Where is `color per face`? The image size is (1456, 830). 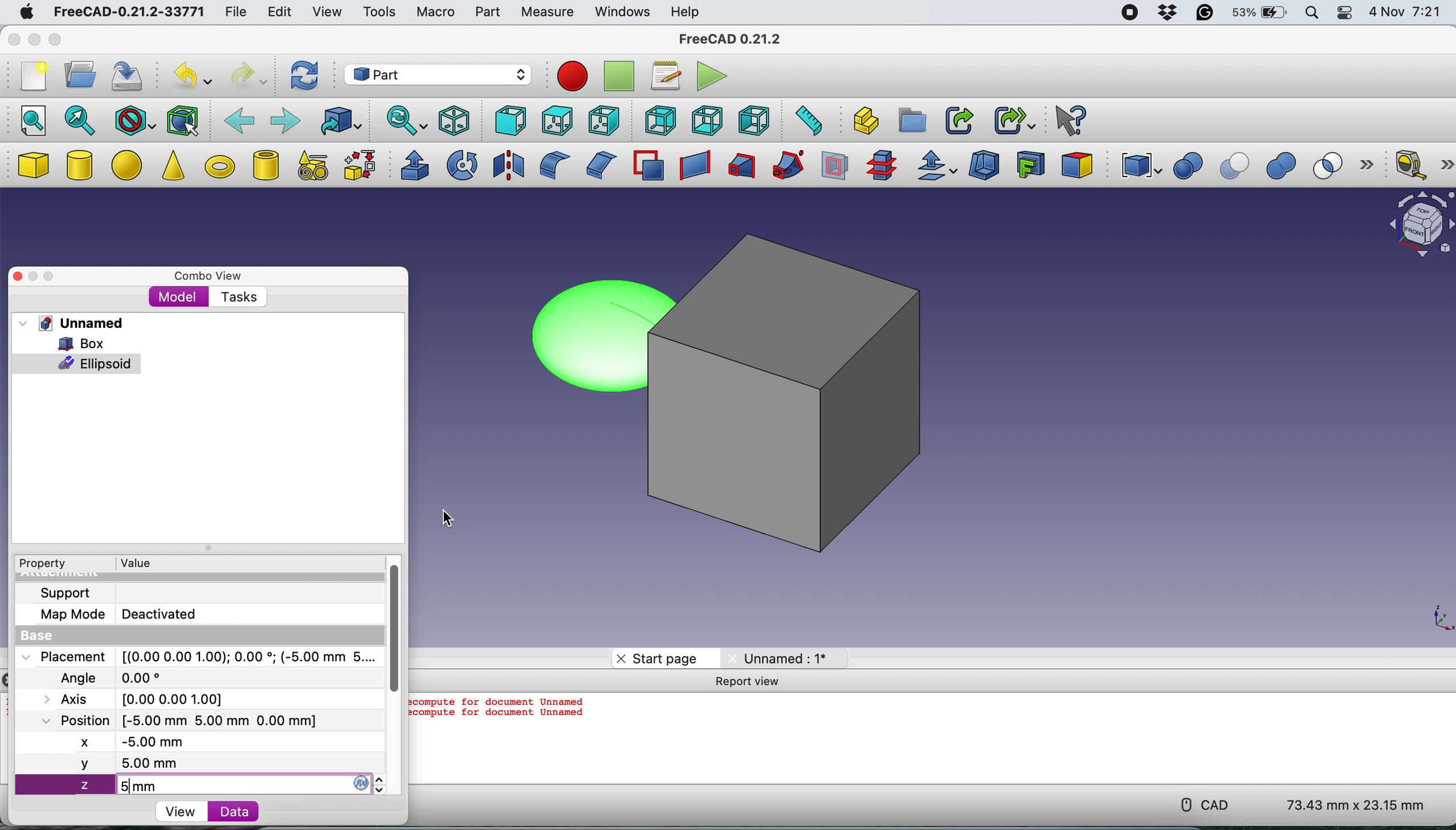
color per face is located at coordinates (1078, 164).